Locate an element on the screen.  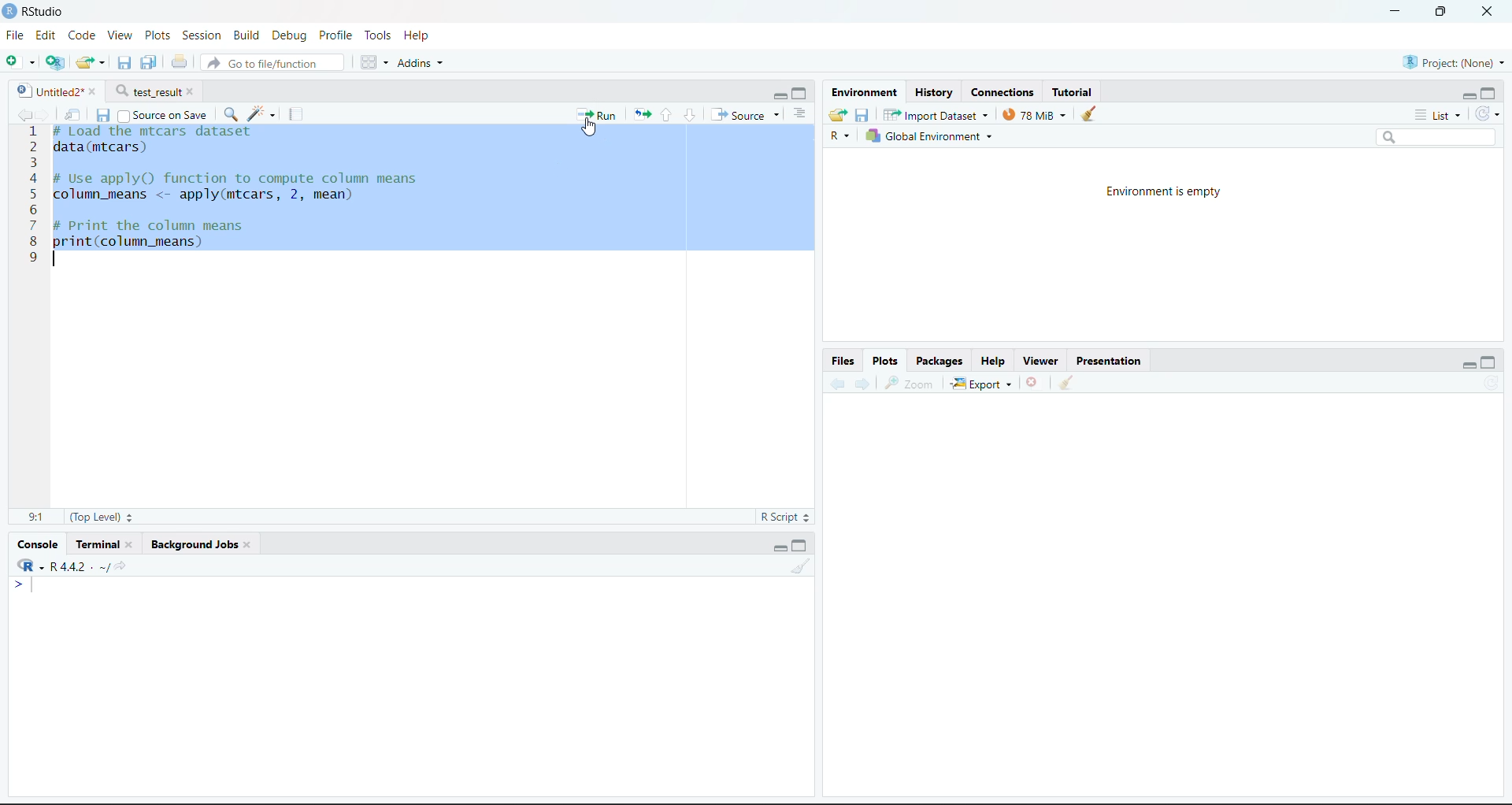
Terminal is located at coordinates (106, 541).